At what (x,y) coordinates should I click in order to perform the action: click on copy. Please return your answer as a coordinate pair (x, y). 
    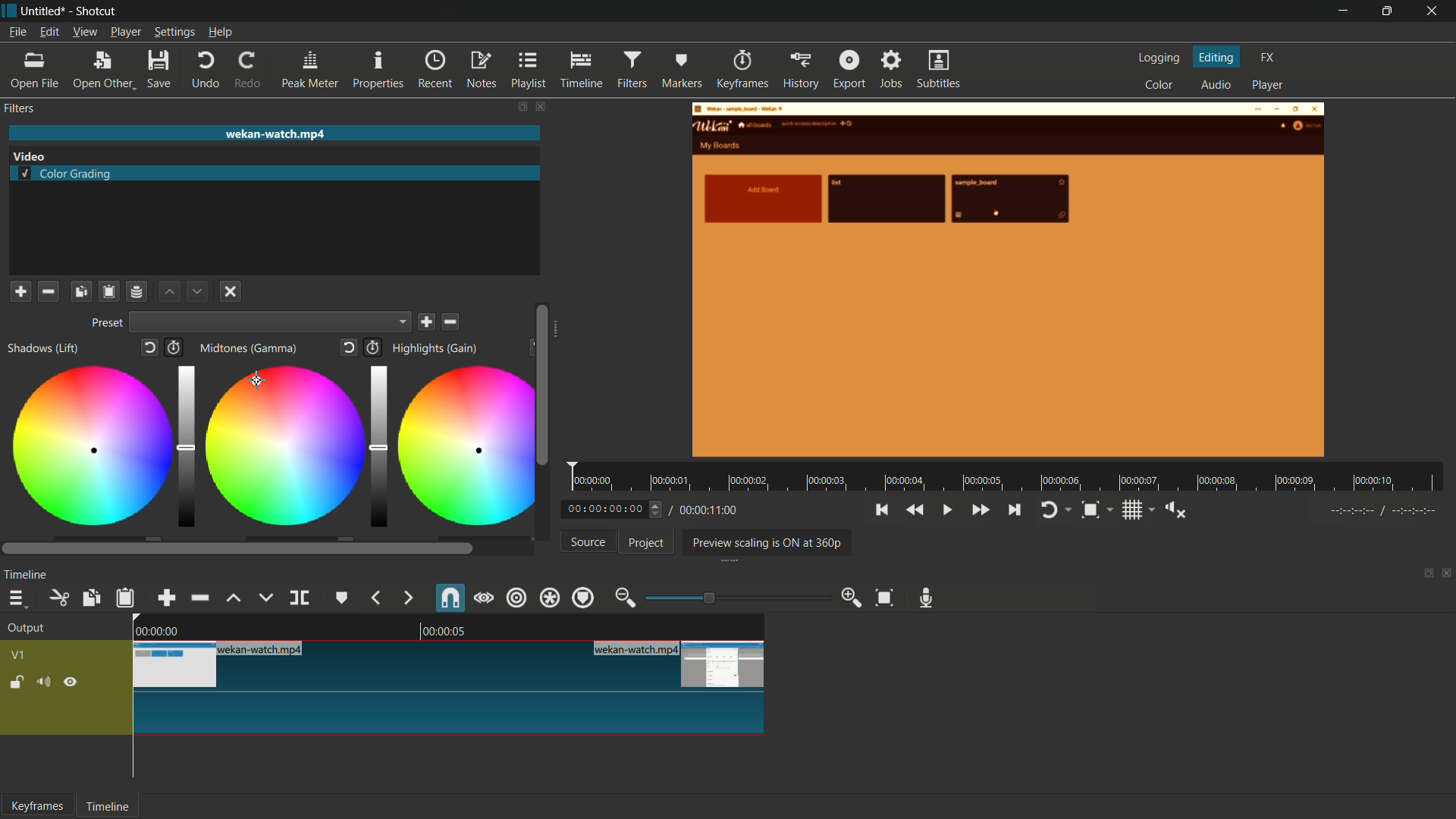
    Looking at the image, I should click on (89, 598).